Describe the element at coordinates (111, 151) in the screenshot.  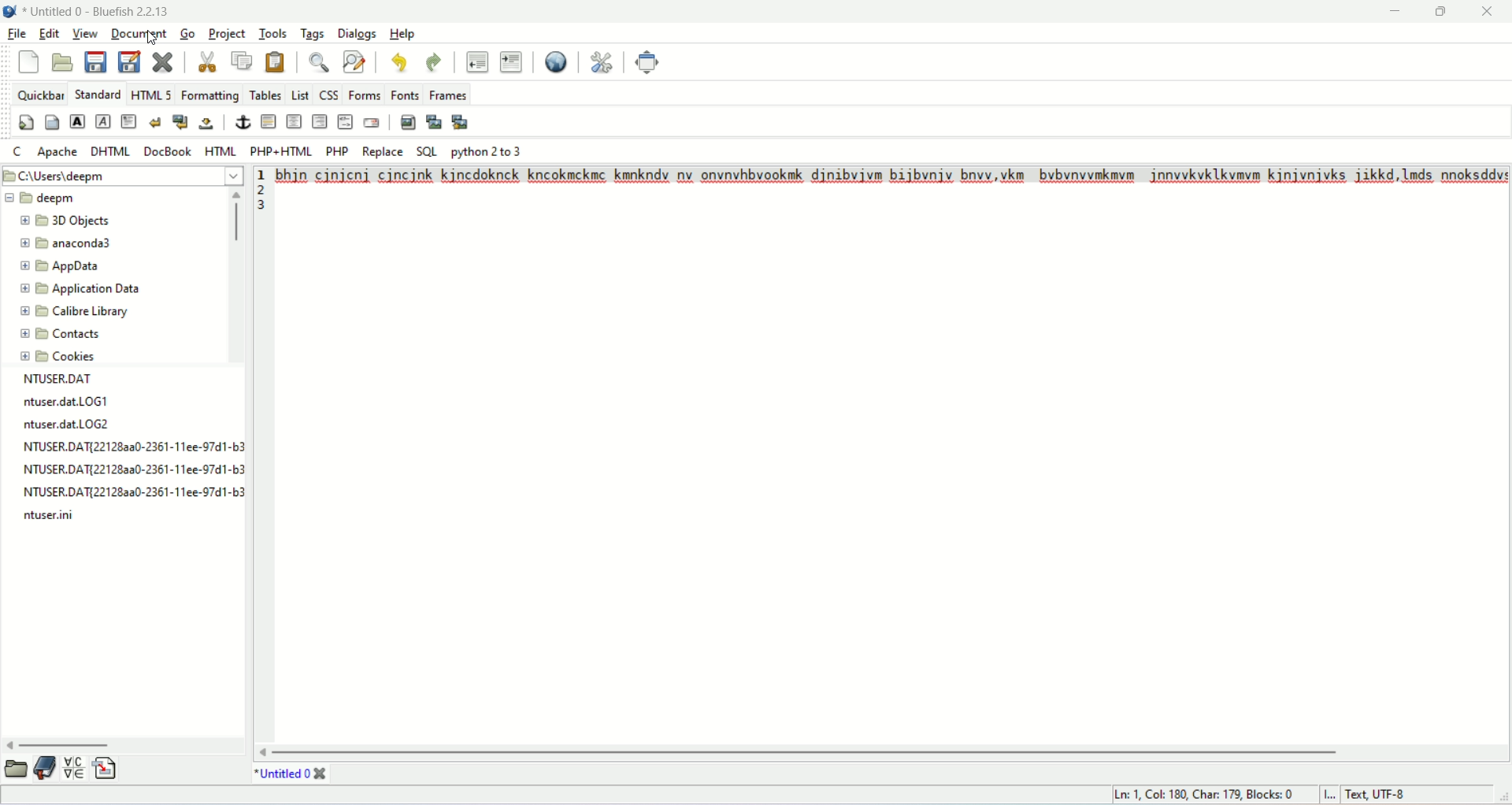
I see `DHTML` at that location.